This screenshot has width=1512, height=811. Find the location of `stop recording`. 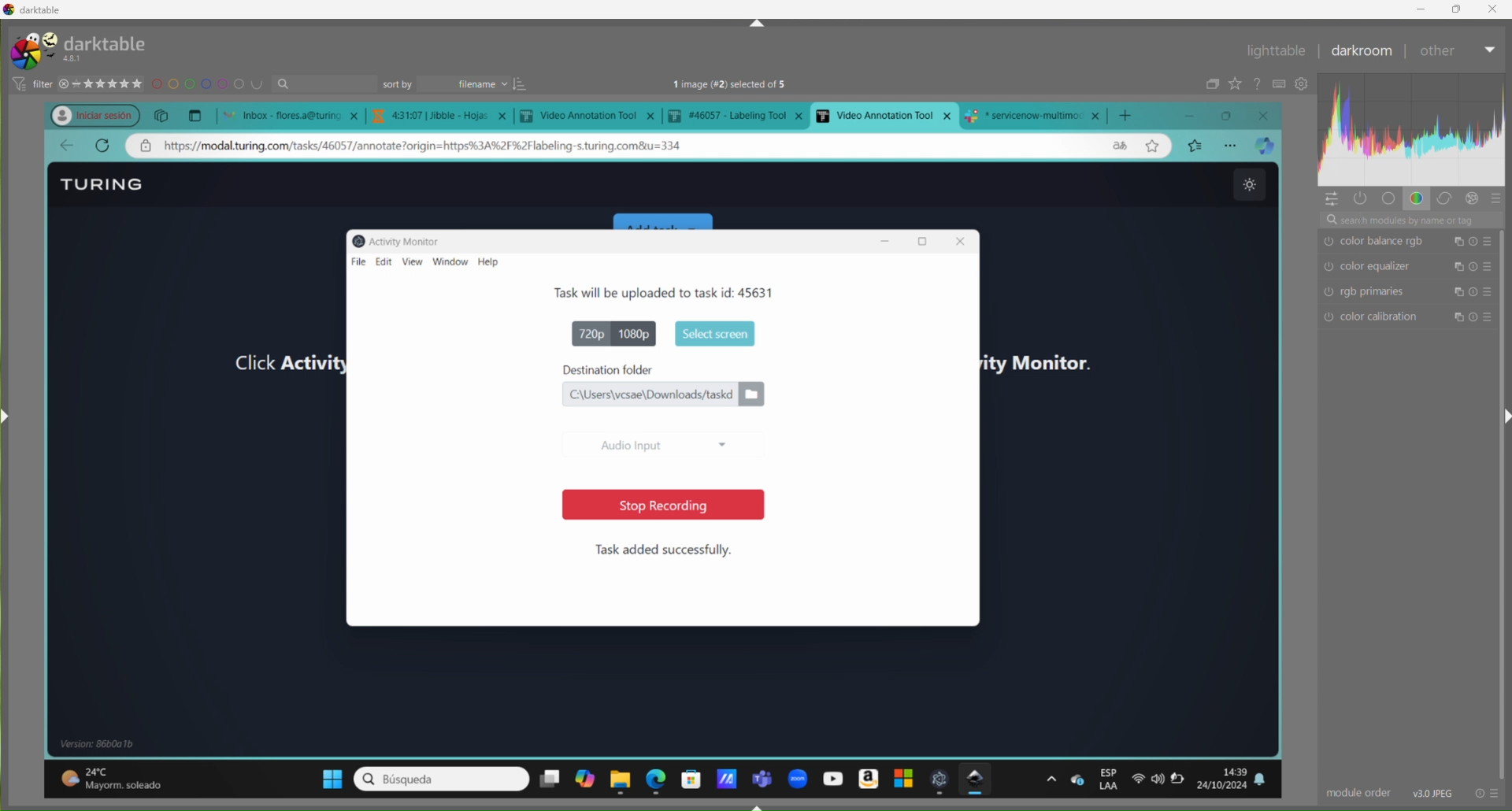

stop recording is located at coordinates (654, 505).